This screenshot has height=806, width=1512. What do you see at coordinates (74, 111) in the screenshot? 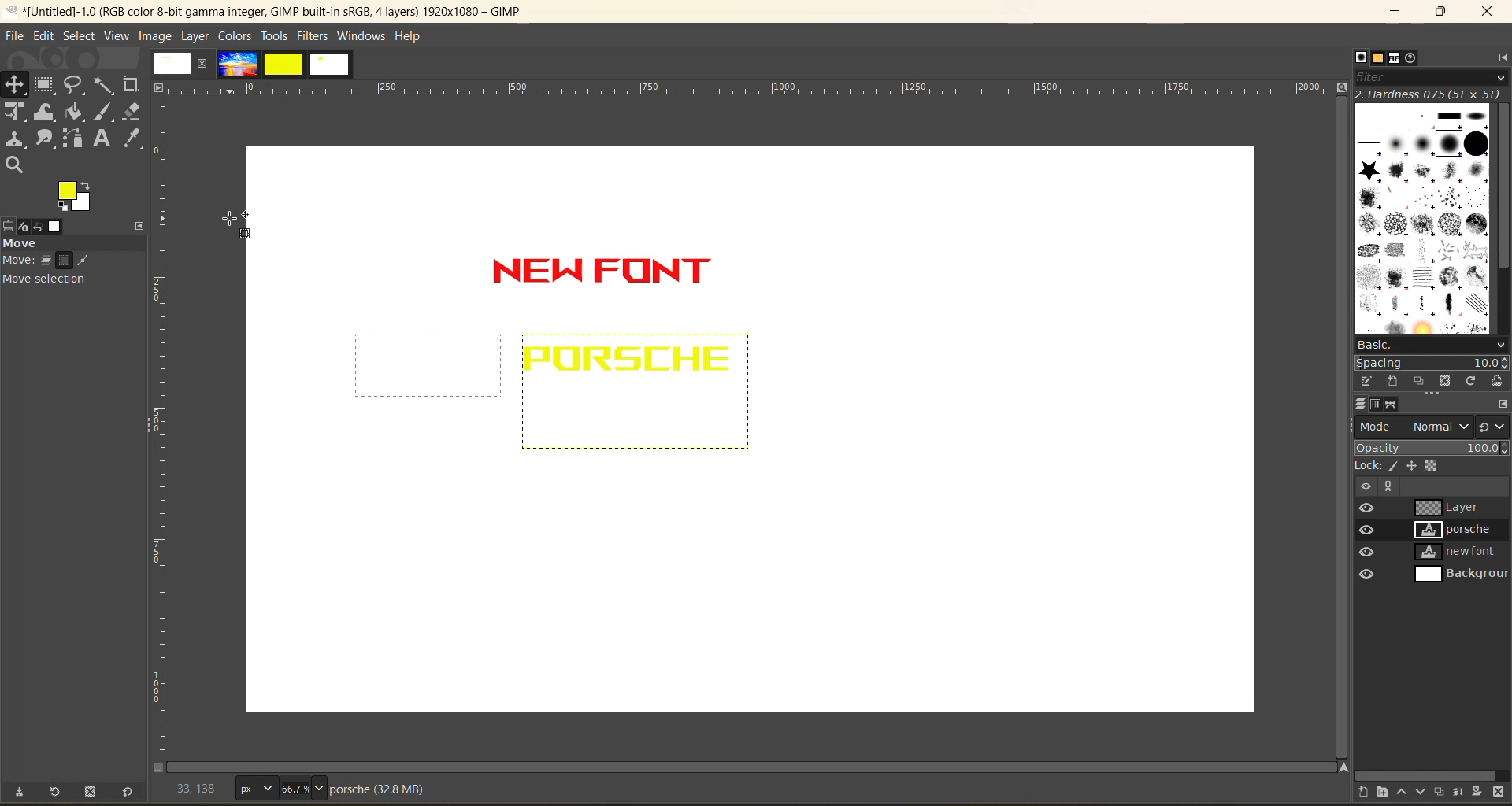
I see `paint bucket` at bounding box center [74, 111].